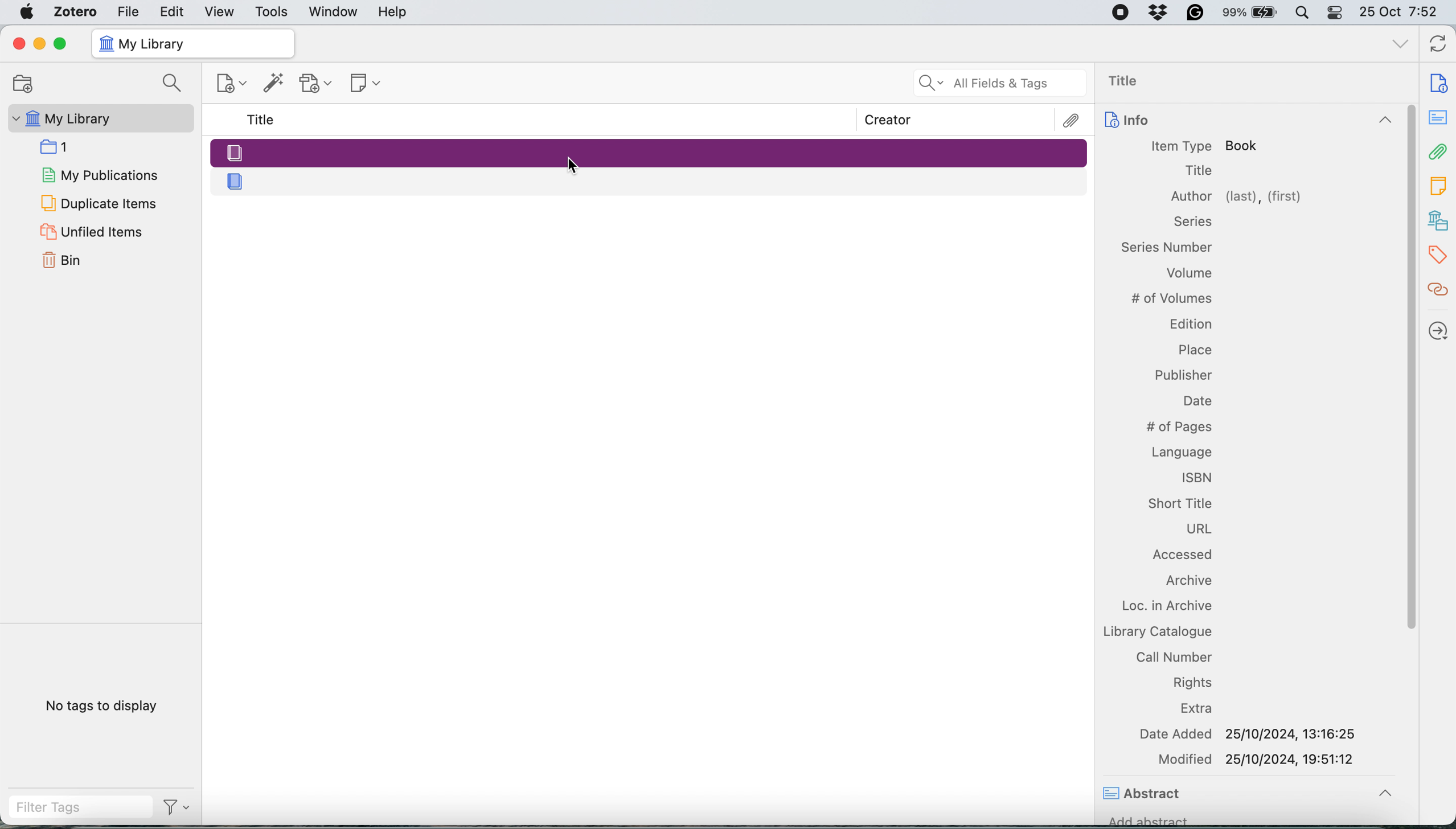 This screenshot has height=829, width=1456. I want to click on Close, so click(18, 43).